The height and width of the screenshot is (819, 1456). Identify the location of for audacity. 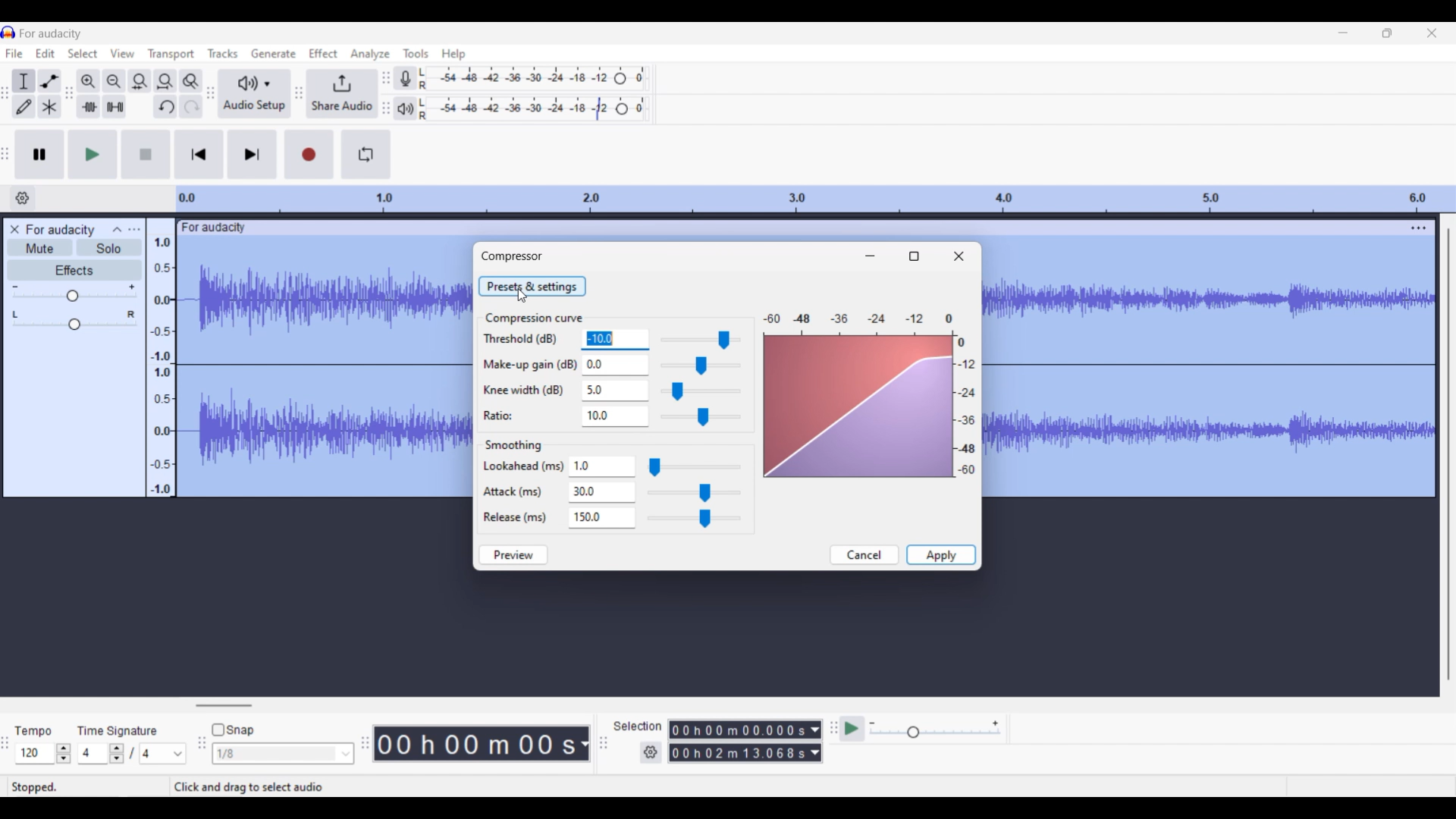
(215, 227).